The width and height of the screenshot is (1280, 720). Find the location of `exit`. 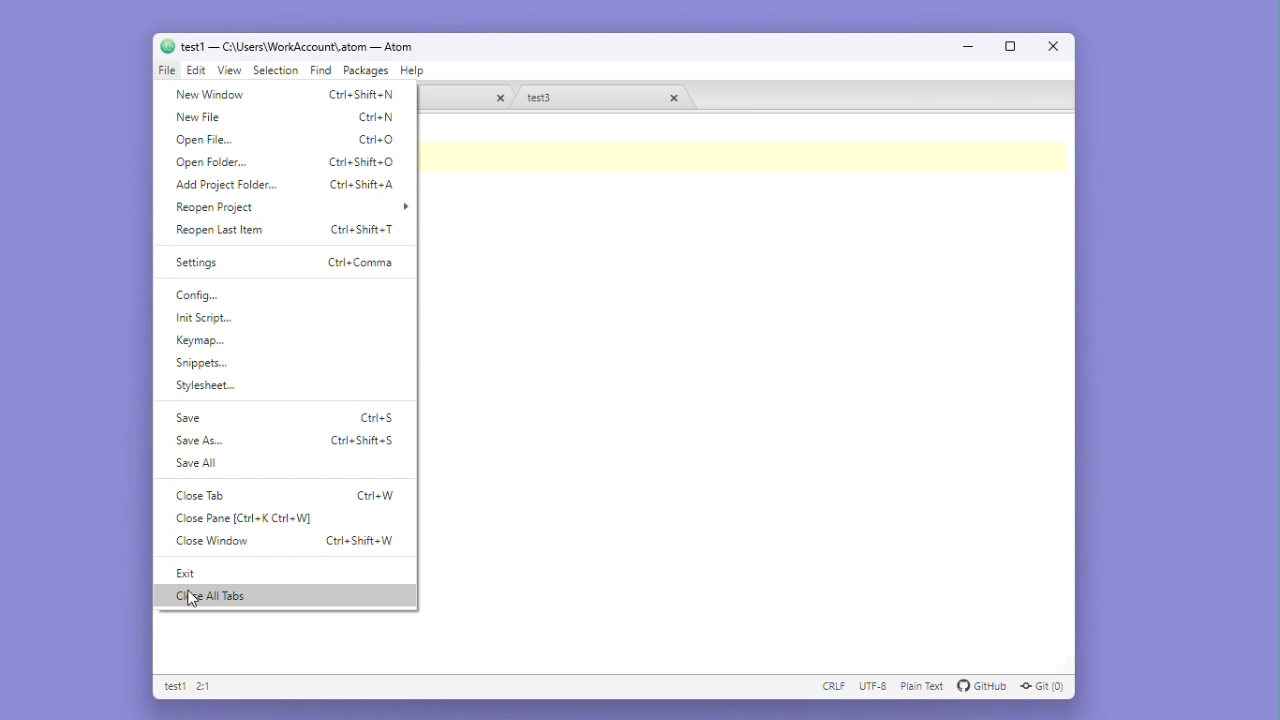

exit is located at coordinates (200, 570).